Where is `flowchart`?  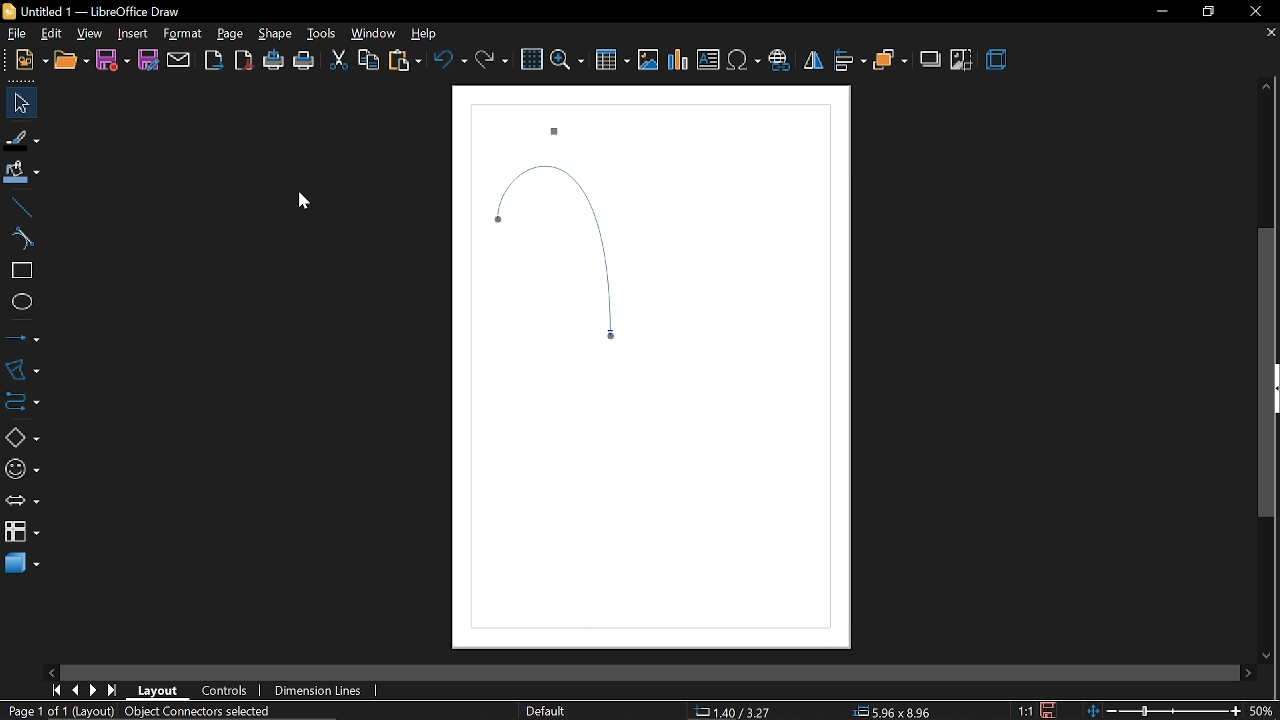
flowchart is located at coordinates (22, 533).